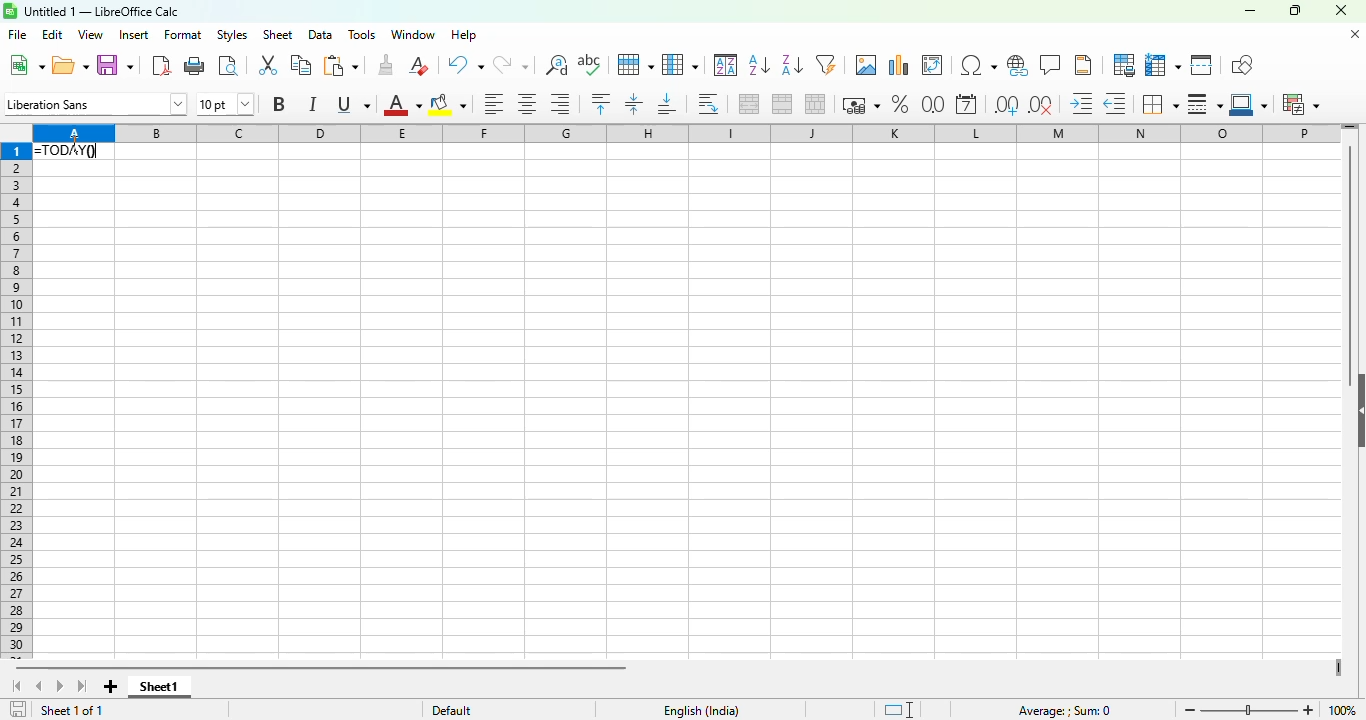 The height and width of the screenshot is (720, 1366). What do you see at coordinates (511, 65) in the screenshot?
I see `redo` at bounding box center [511, 65].